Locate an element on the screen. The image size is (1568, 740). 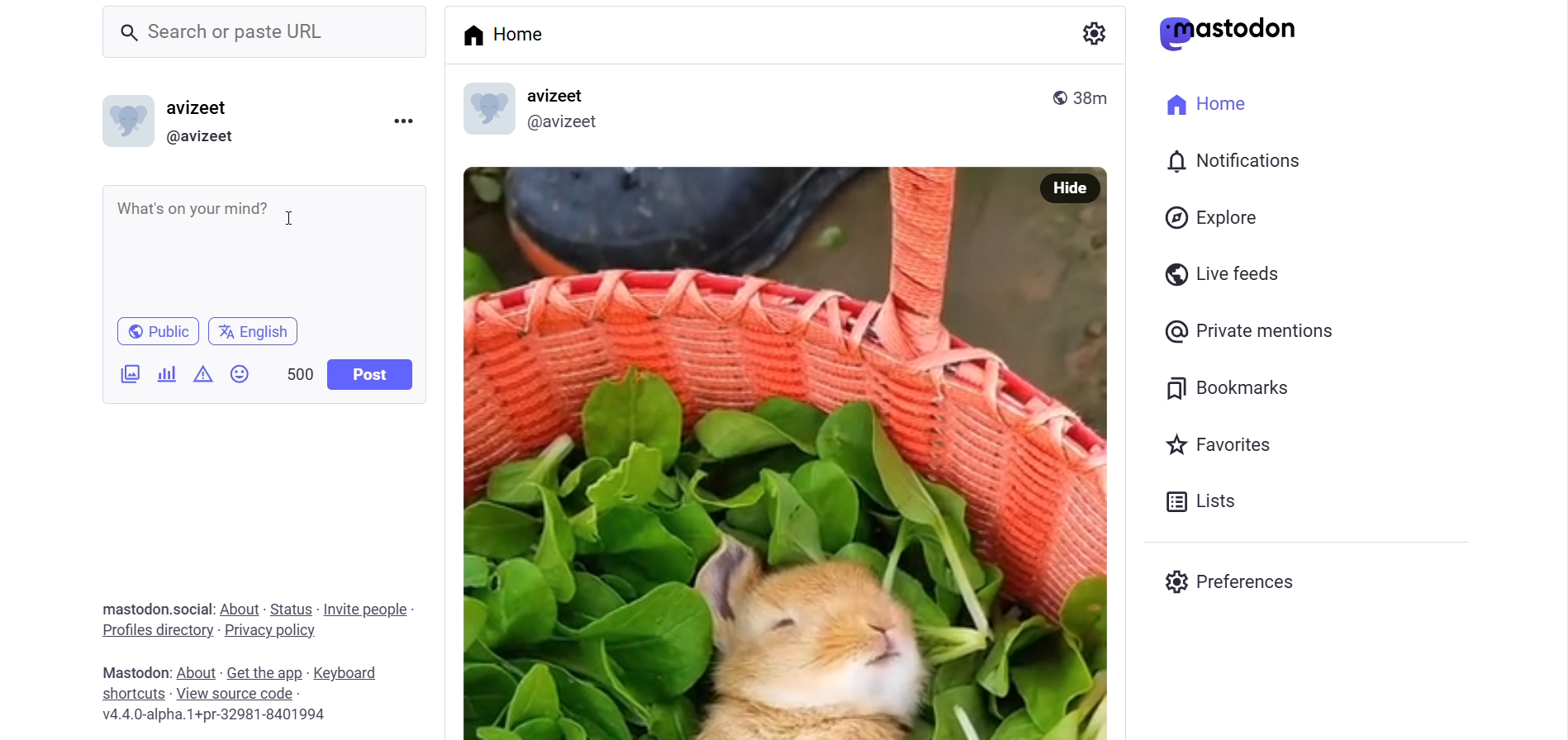
cursor is located at coordinates (289, 221).